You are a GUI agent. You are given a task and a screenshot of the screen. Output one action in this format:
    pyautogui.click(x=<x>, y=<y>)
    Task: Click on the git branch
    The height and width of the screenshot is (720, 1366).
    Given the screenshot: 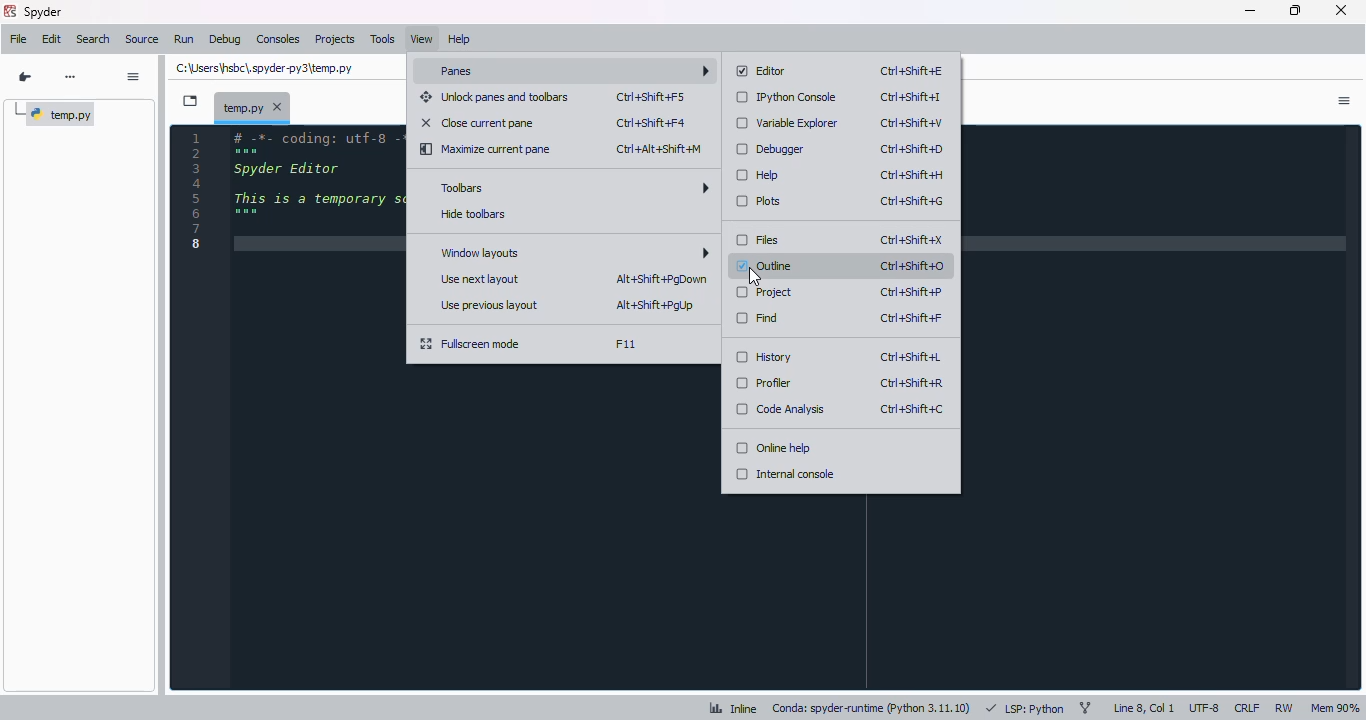 What is the action you would take?
    pyautogui.click(x=1084, y=706)
    